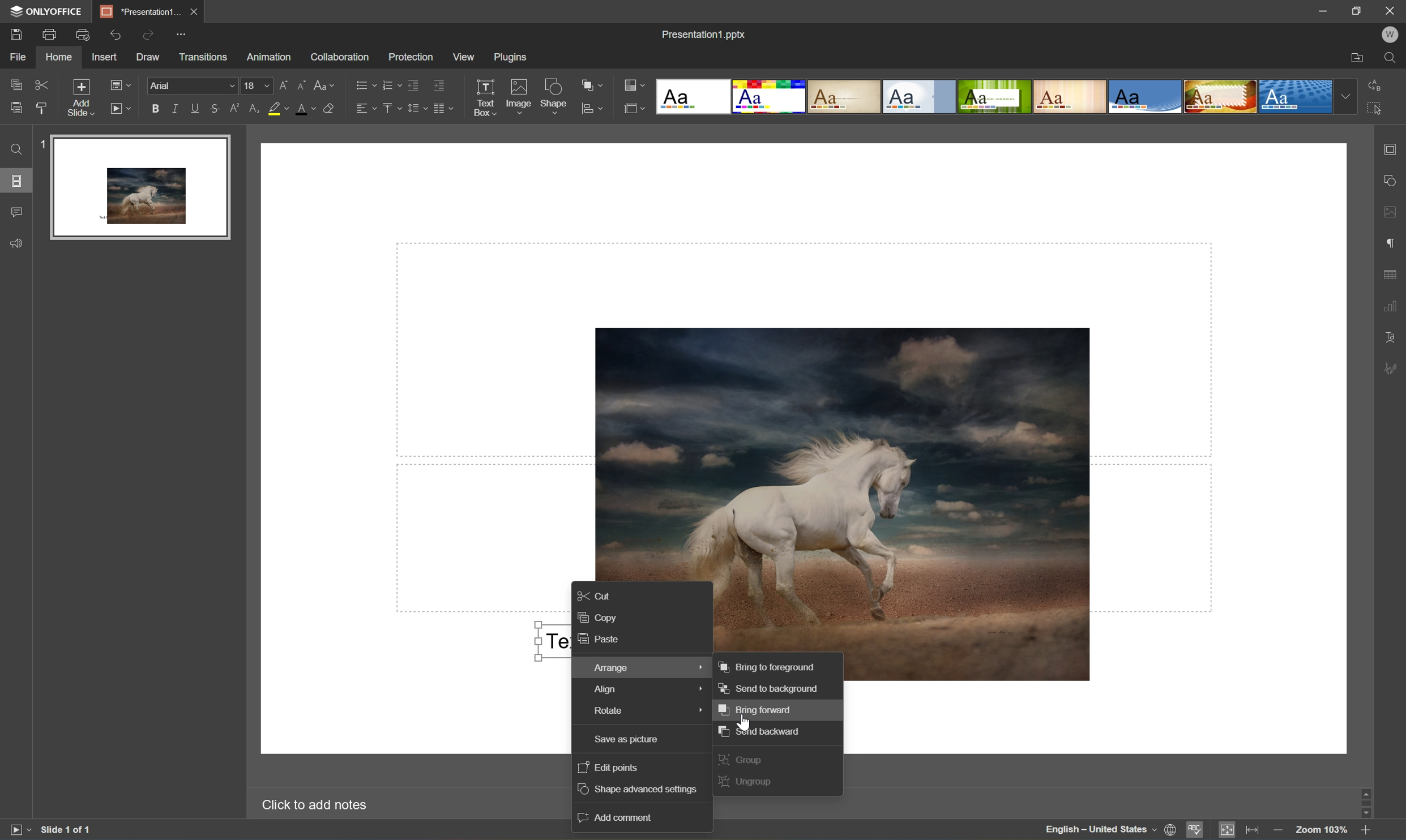 The height and width of the screenshot is (840, 1406). Describe the element at coordinates (331, 109) in the screenshot. I see `Clear style` at that location.